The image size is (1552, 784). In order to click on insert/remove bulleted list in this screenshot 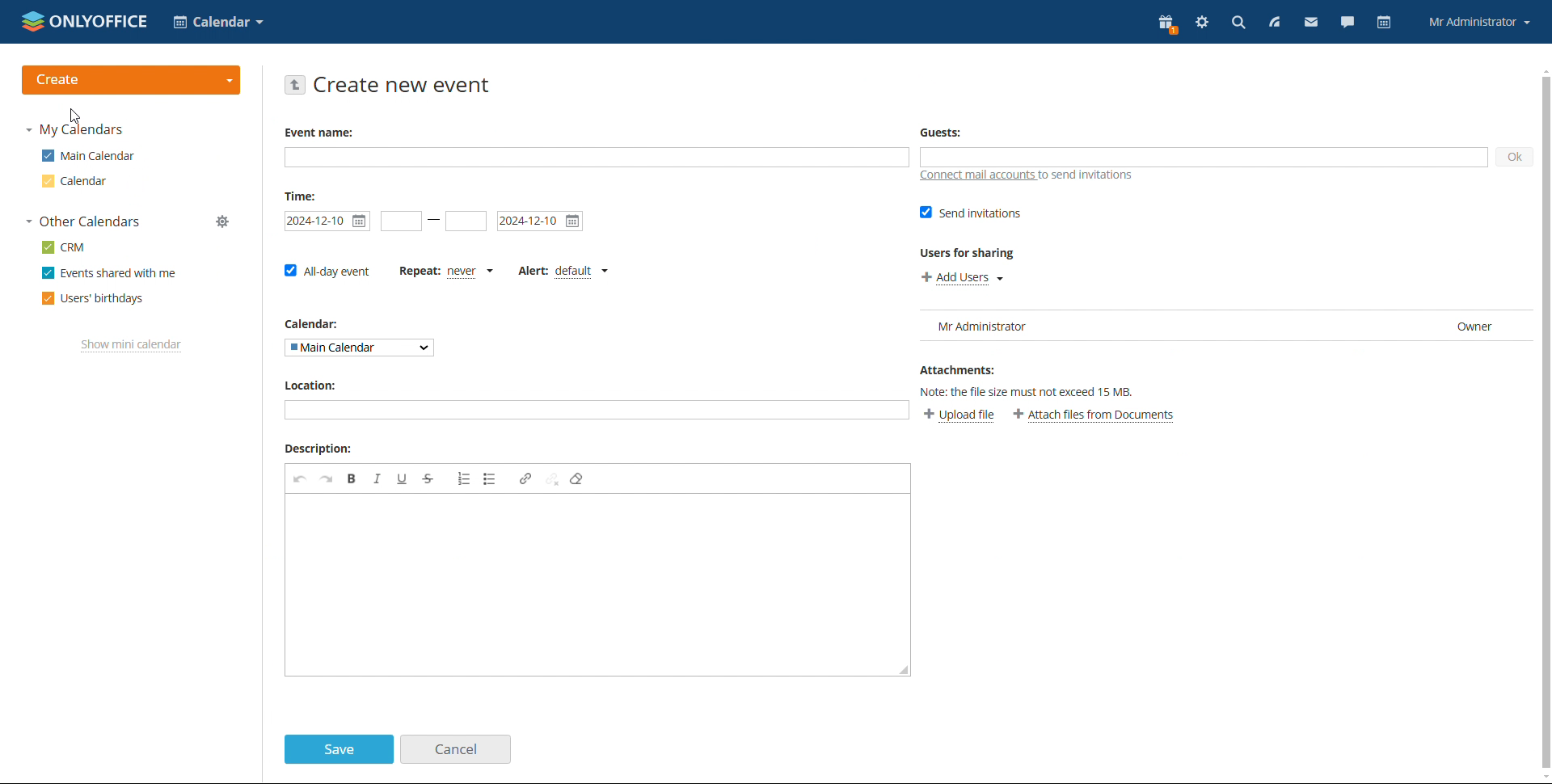, I will do `click(491, 478)`.